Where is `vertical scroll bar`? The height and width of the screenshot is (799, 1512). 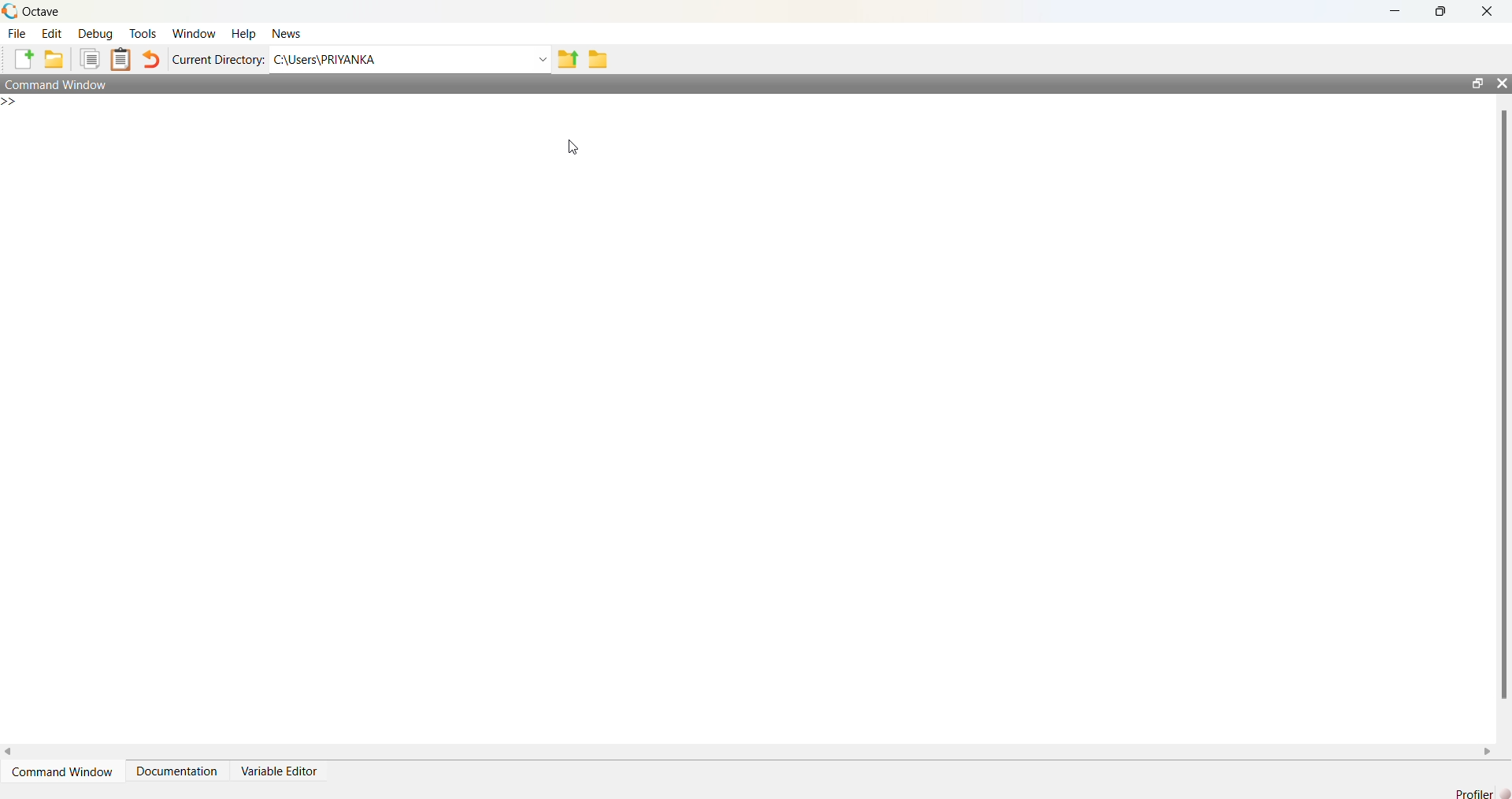 vertical scroll bar is located at coordinates (1504, 418).